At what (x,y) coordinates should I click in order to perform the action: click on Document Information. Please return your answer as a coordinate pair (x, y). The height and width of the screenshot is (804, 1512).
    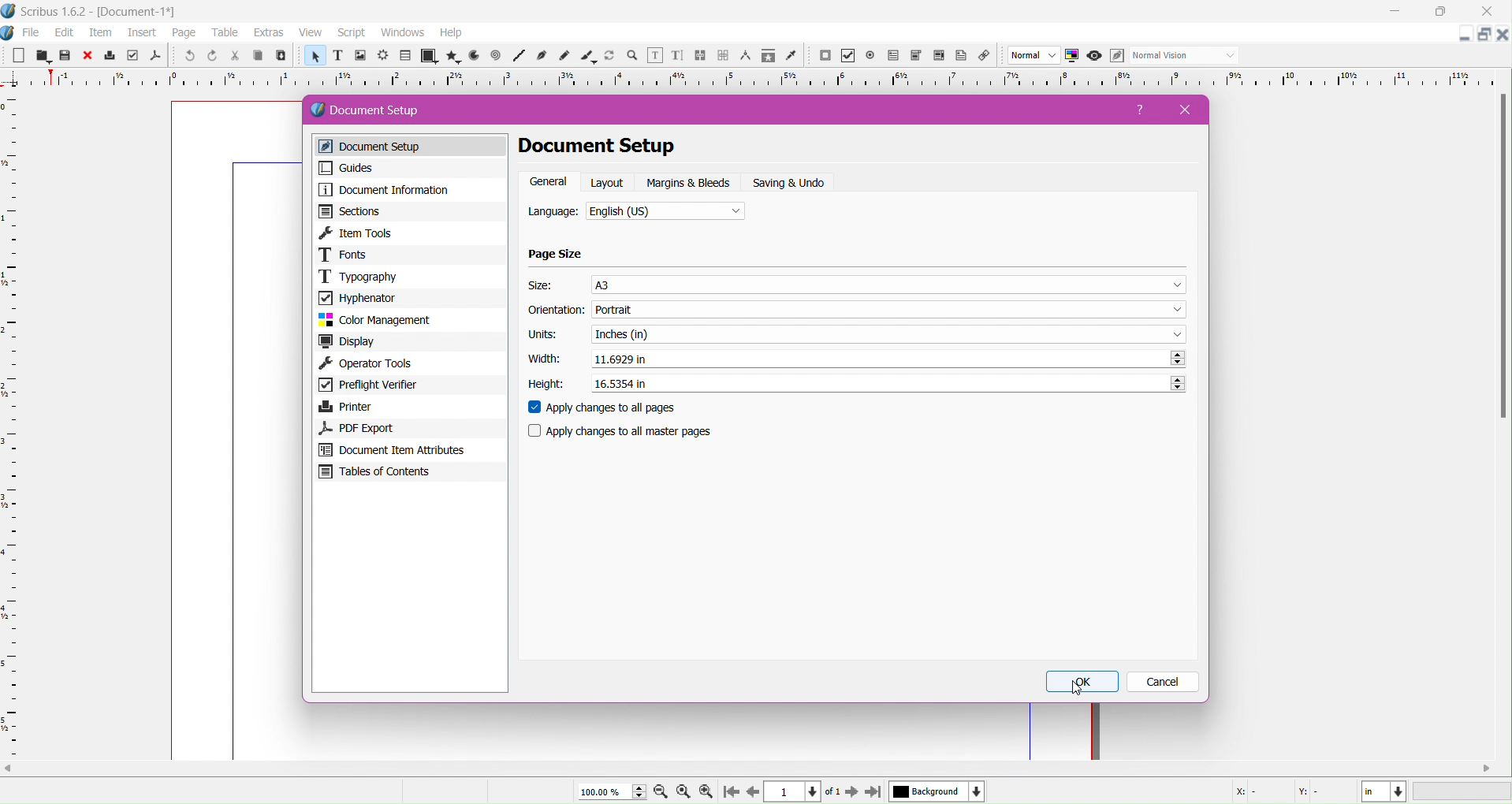
    Looking at the image, I should click on (408, 190).